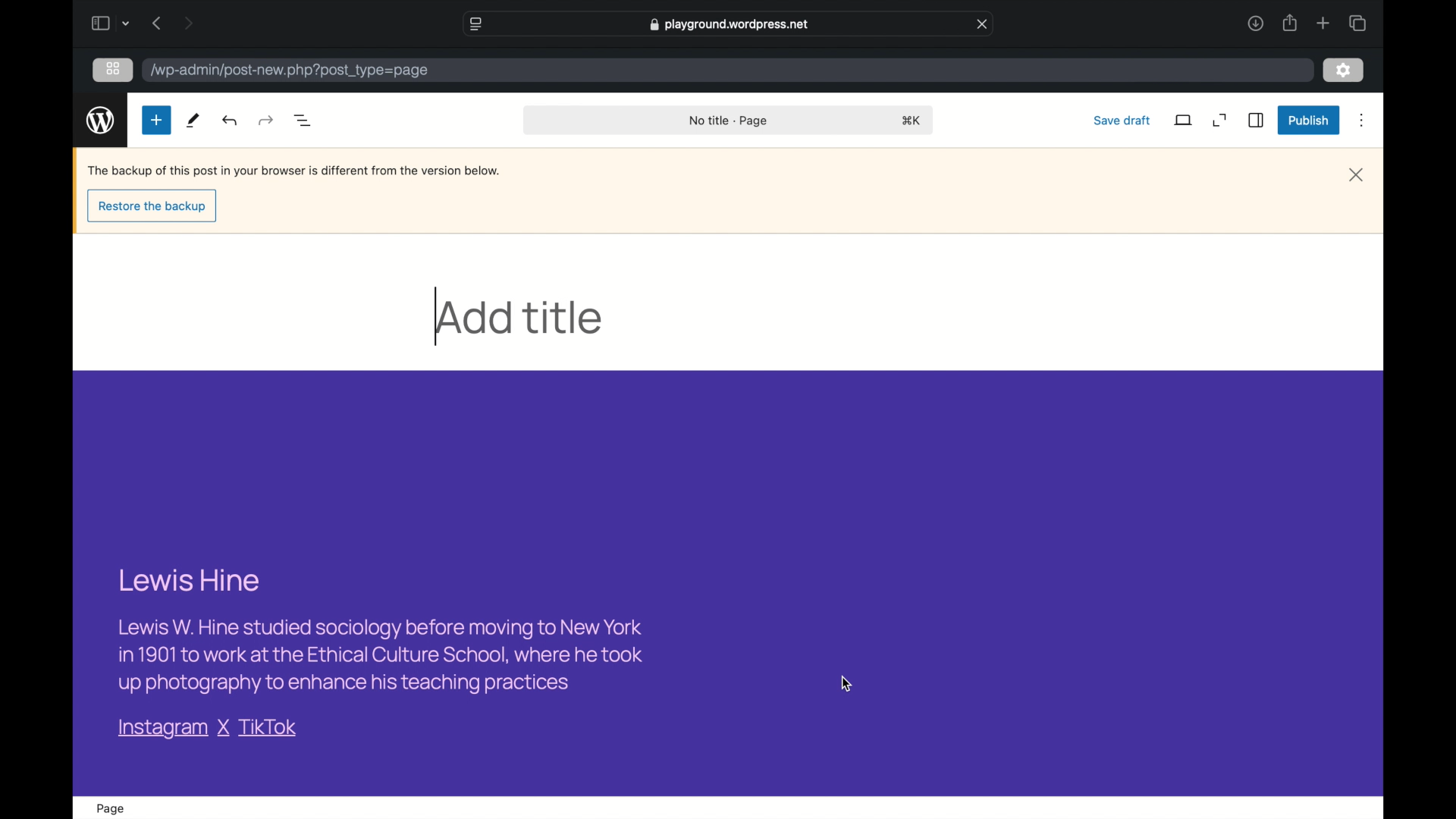 This screenshot has width=1456, height=819. I want to click on save draft, so click(1122, 120).